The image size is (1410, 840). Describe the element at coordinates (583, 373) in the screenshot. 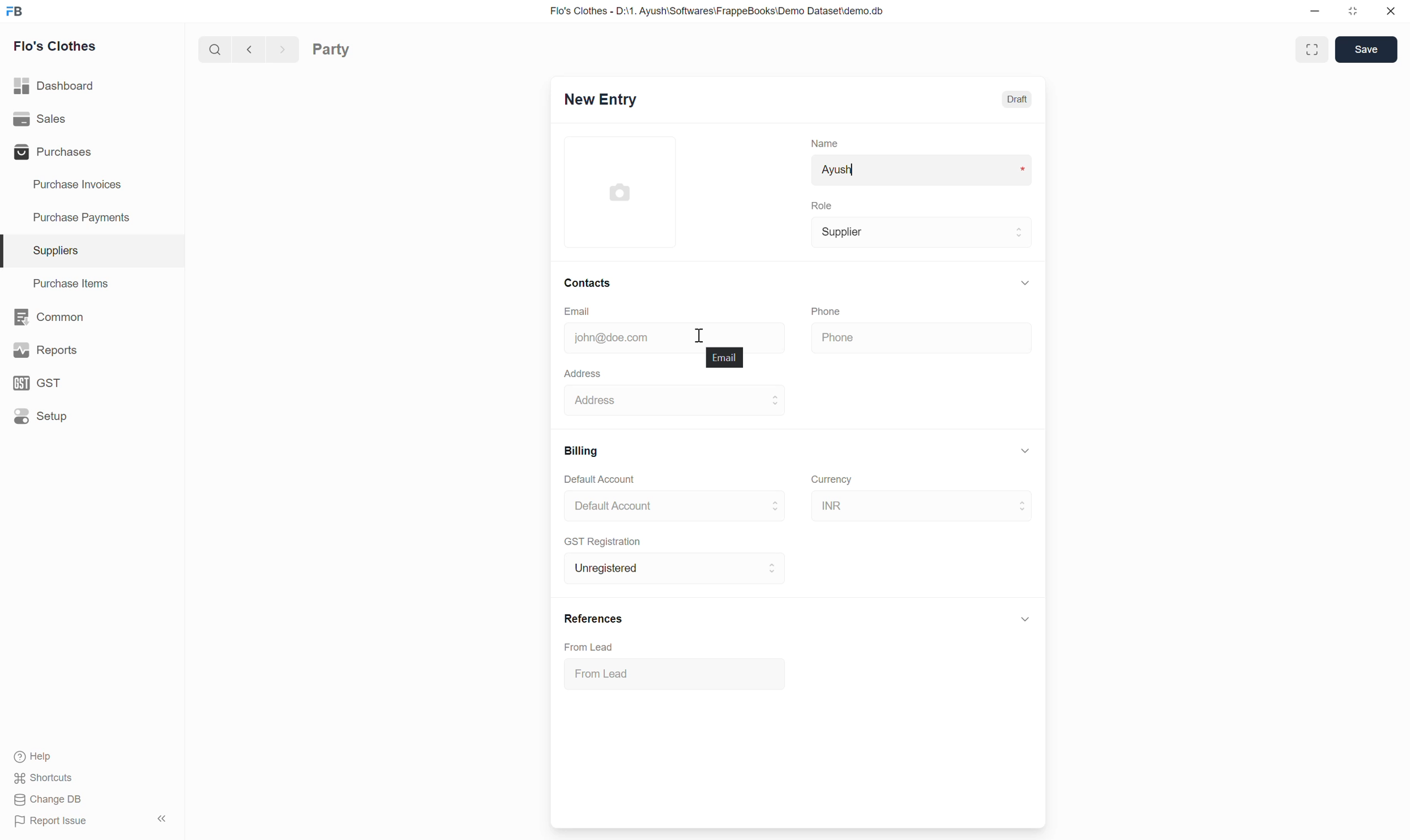

I see `Address` at that location.